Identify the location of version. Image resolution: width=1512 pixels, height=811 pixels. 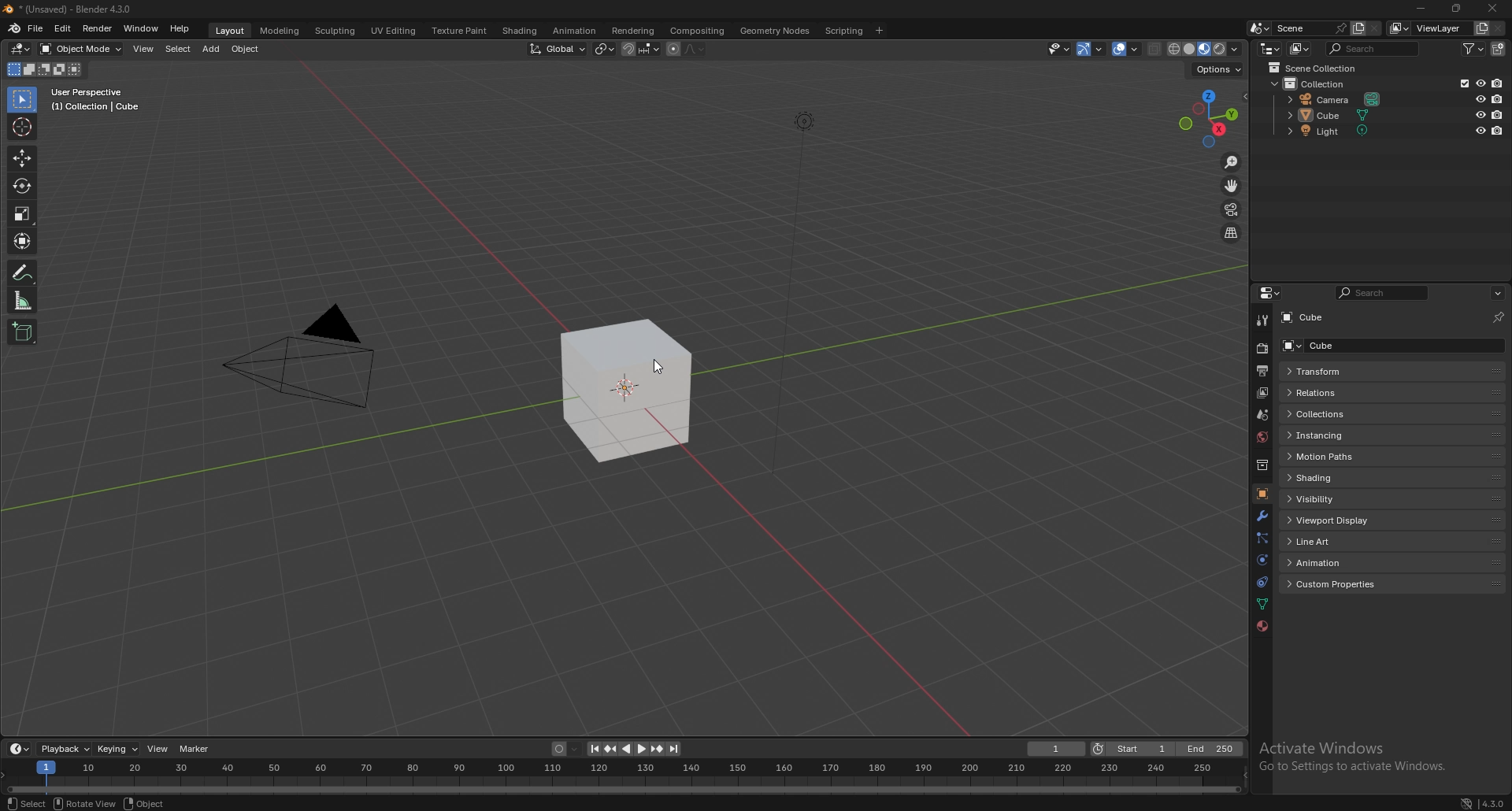
(1493, 803).